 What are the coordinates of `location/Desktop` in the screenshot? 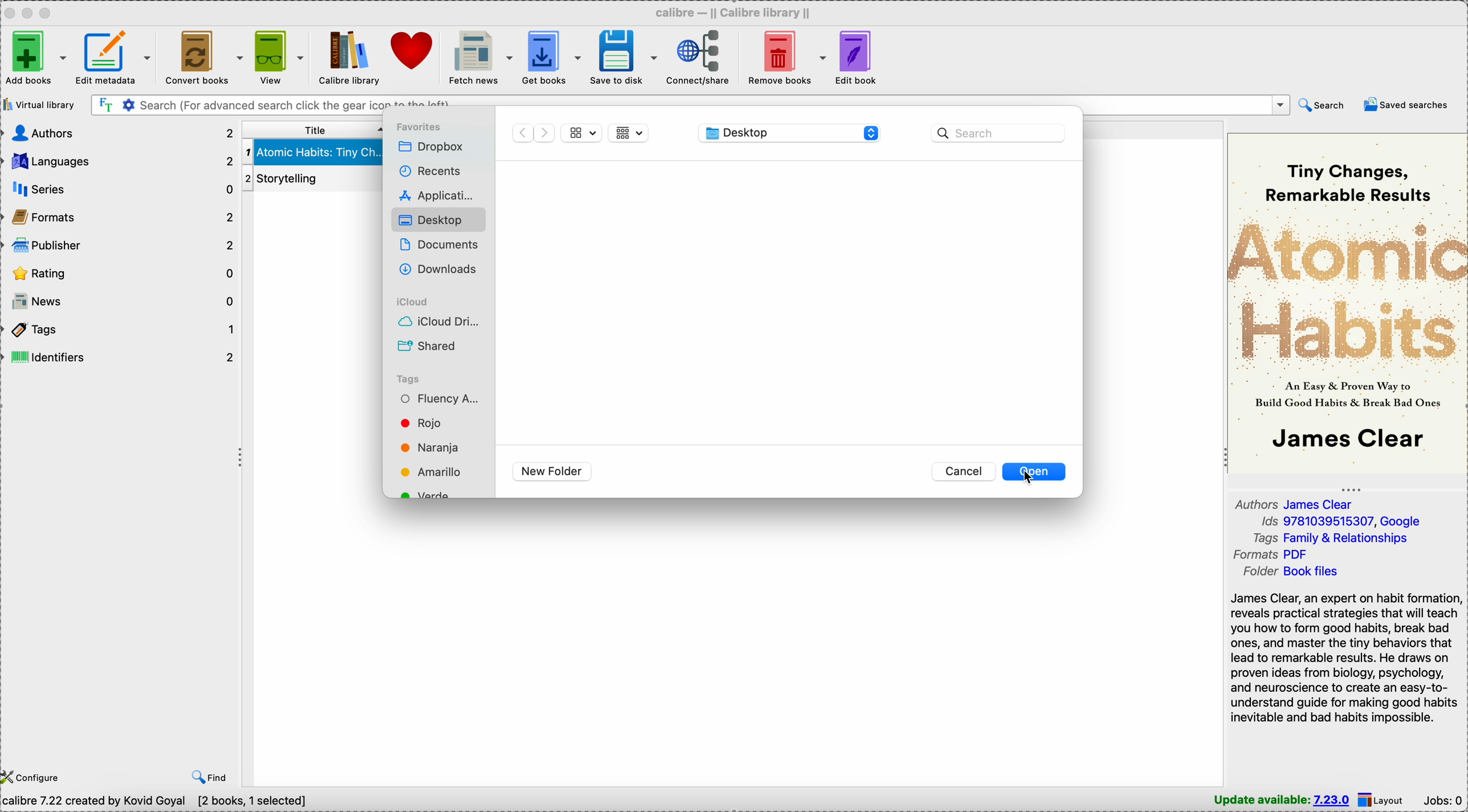 It's located at (792, 134).